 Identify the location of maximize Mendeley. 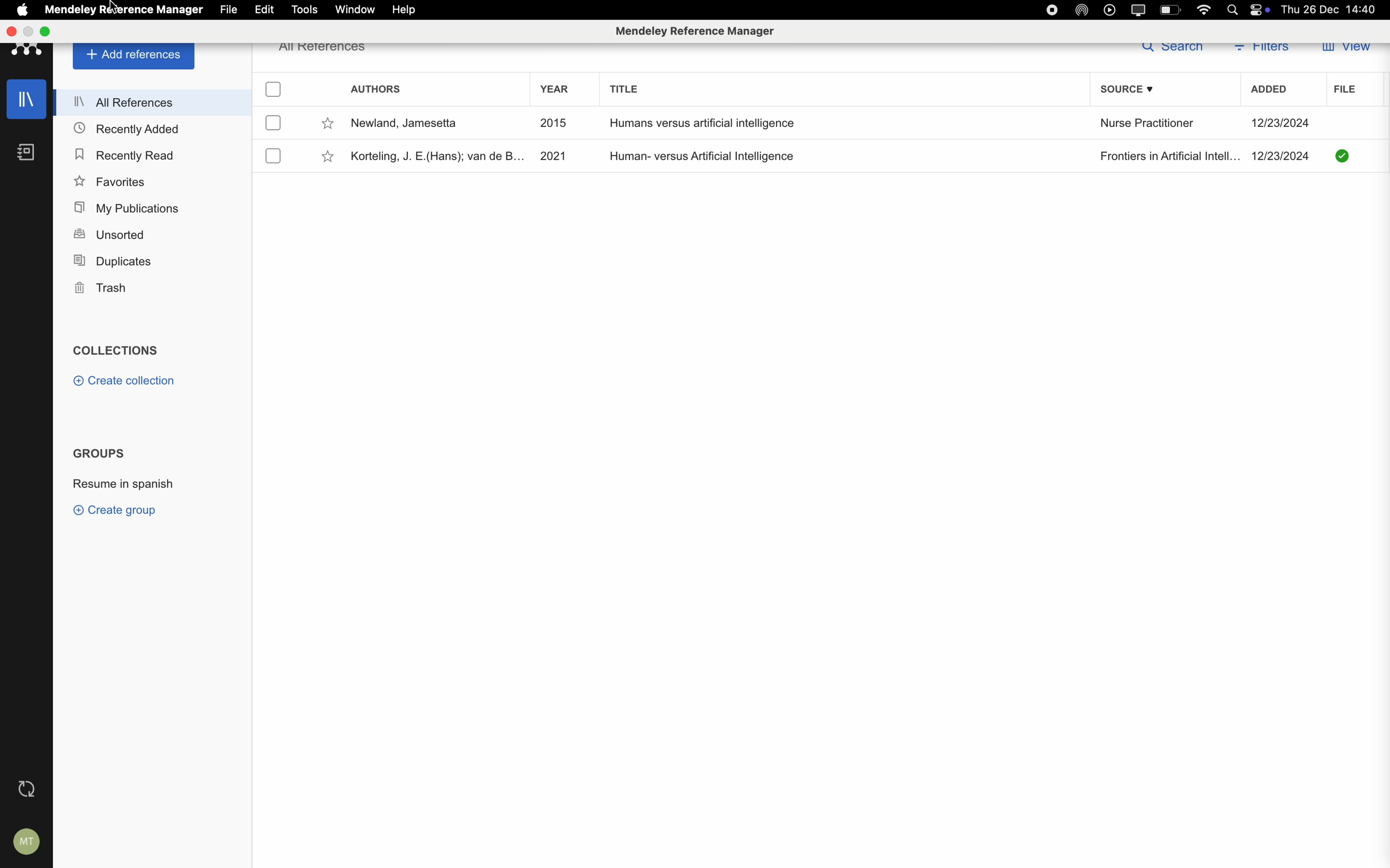
(37, 30).